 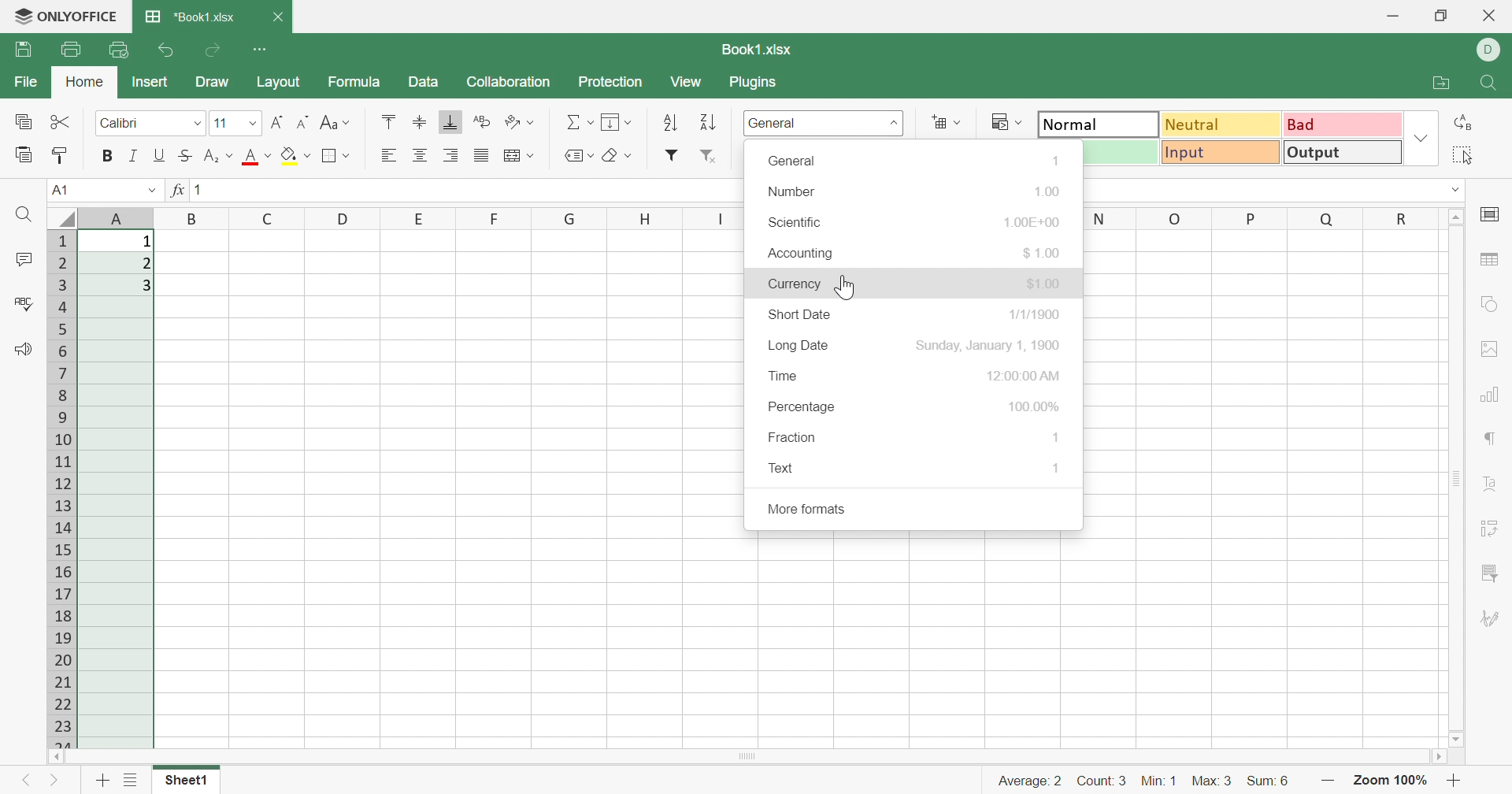 I want to click on Spell checking, so click(x=26, y=305).